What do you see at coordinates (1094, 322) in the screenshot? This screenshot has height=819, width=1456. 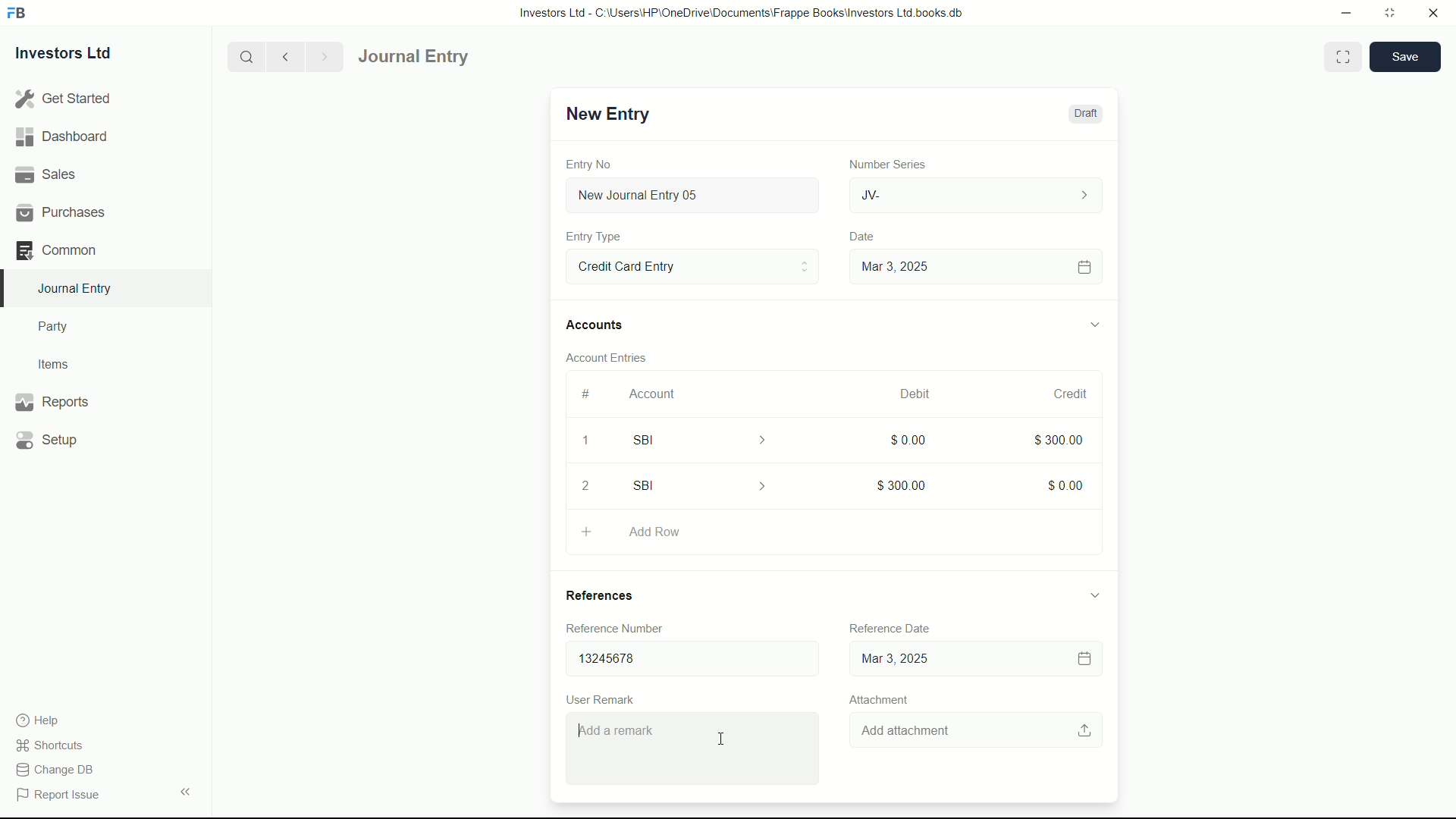 I see `expand/collapse` at bounding box center [1094, 322].